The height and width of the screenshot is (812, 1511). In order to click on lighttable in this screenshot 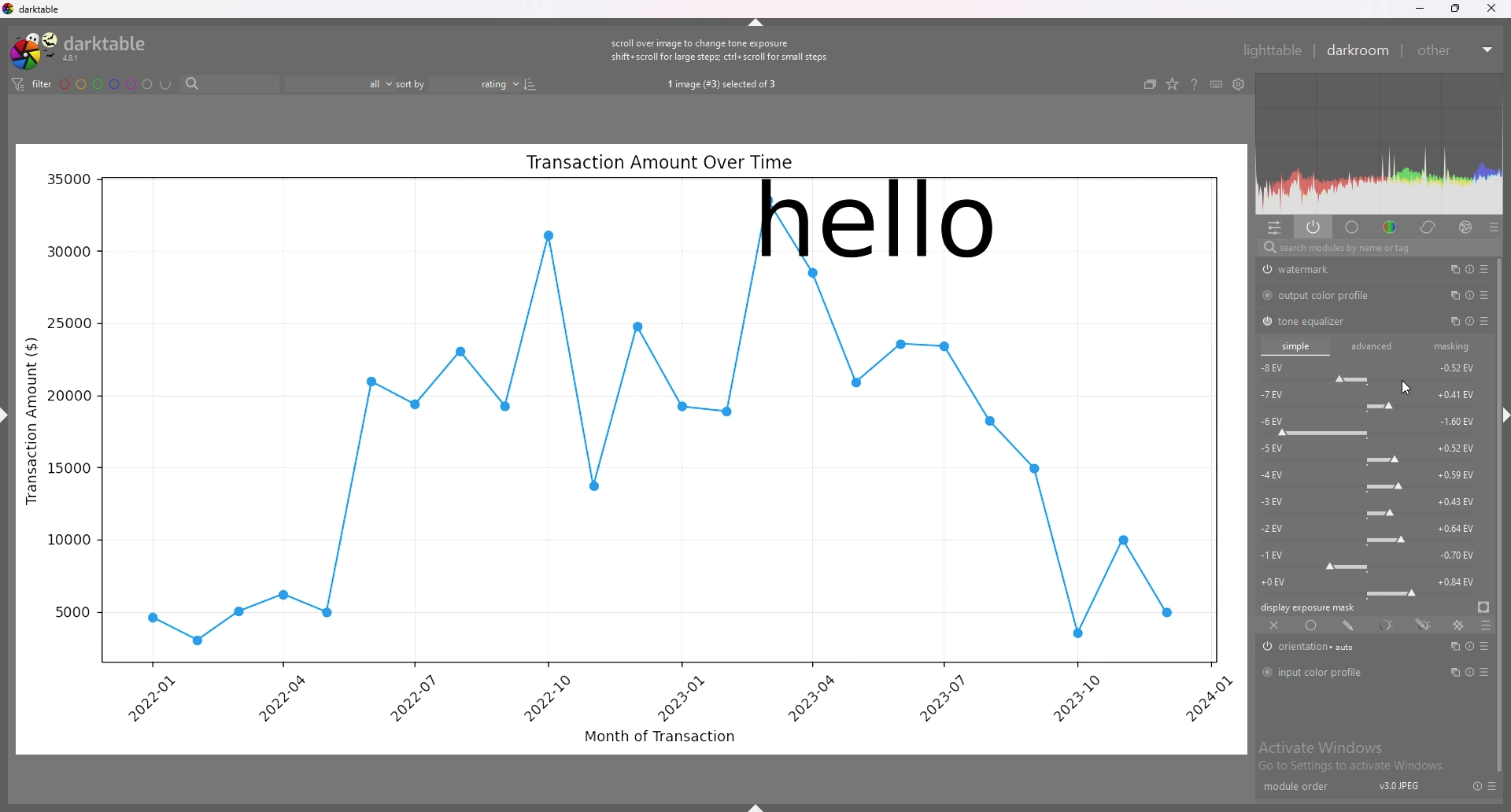, I will do `click(1273, 50)`.